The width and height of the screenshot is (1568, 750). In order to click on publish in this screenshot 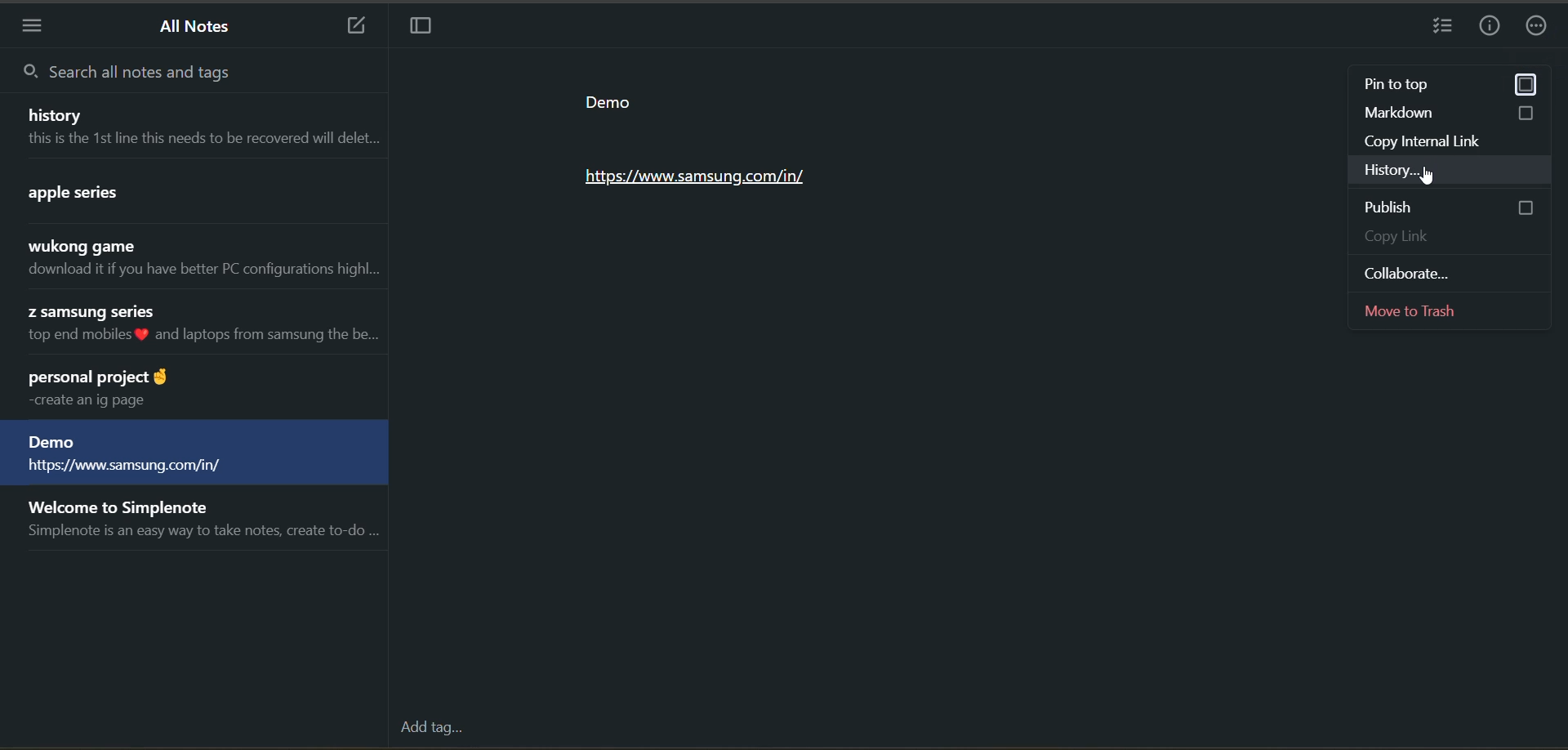, I will do `click(1451, 208)`.